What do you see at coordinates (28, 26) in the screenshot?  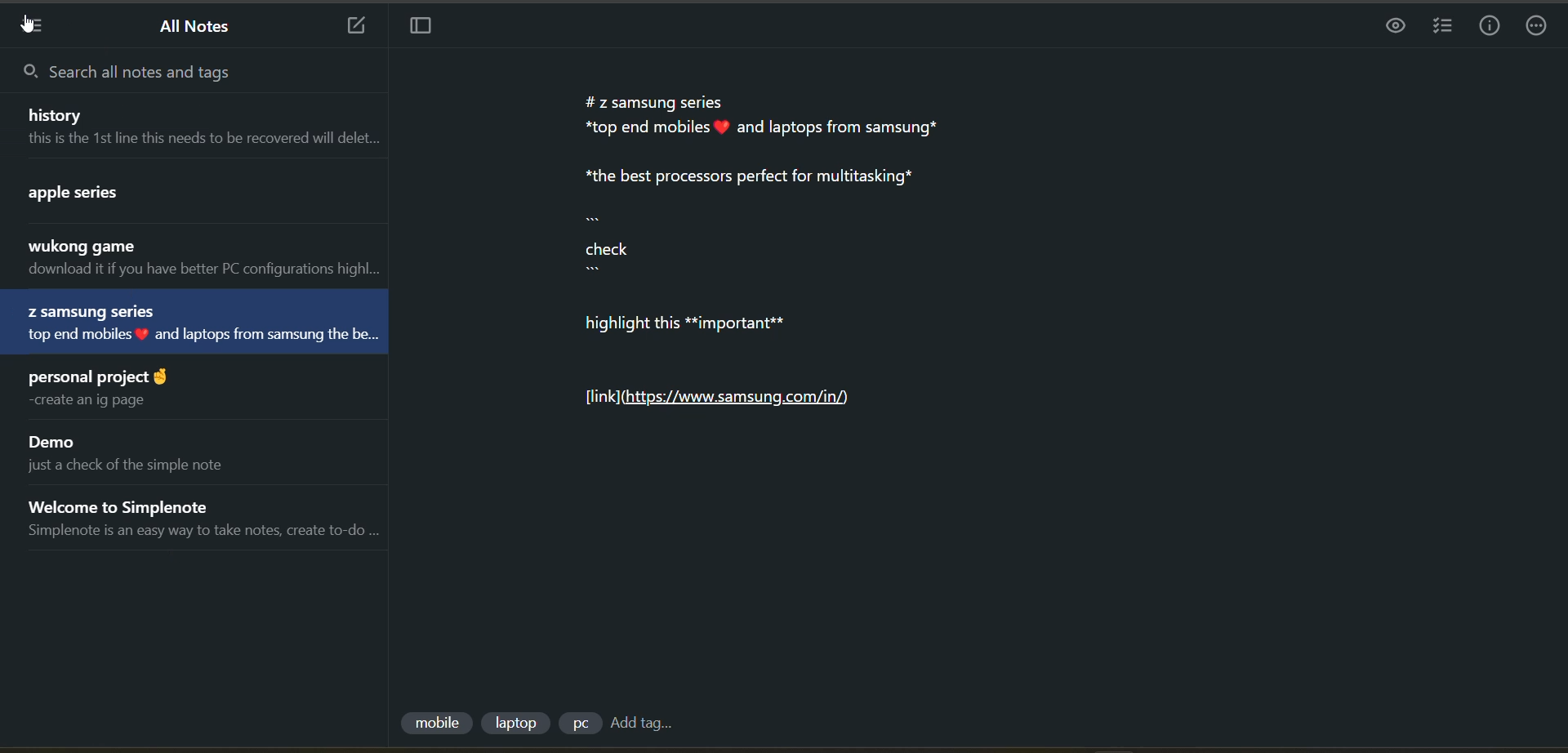 I see `cursor` at bounding box center [28, 26].